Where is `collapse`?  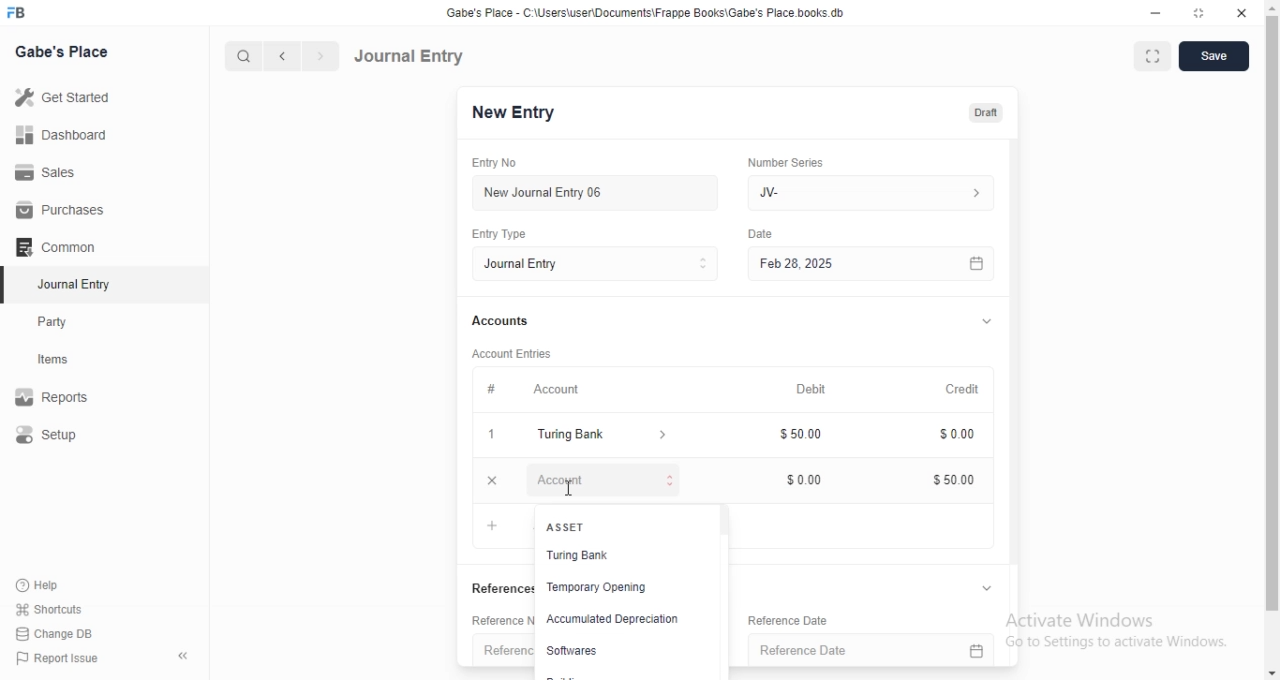
collapse is located at coordinates (989, 588).